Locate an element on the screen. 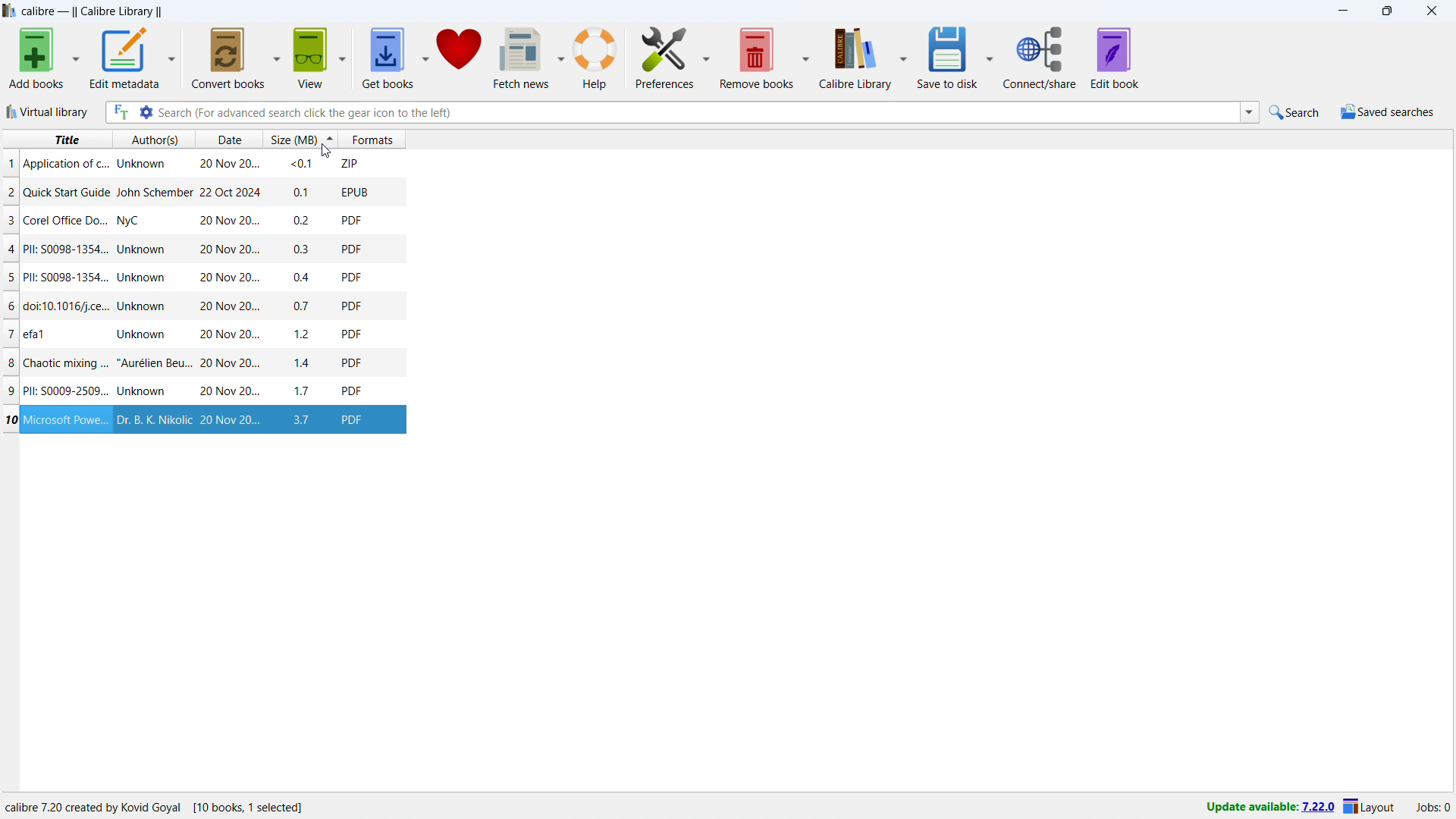  cursor is located at coordinates (313, 150).